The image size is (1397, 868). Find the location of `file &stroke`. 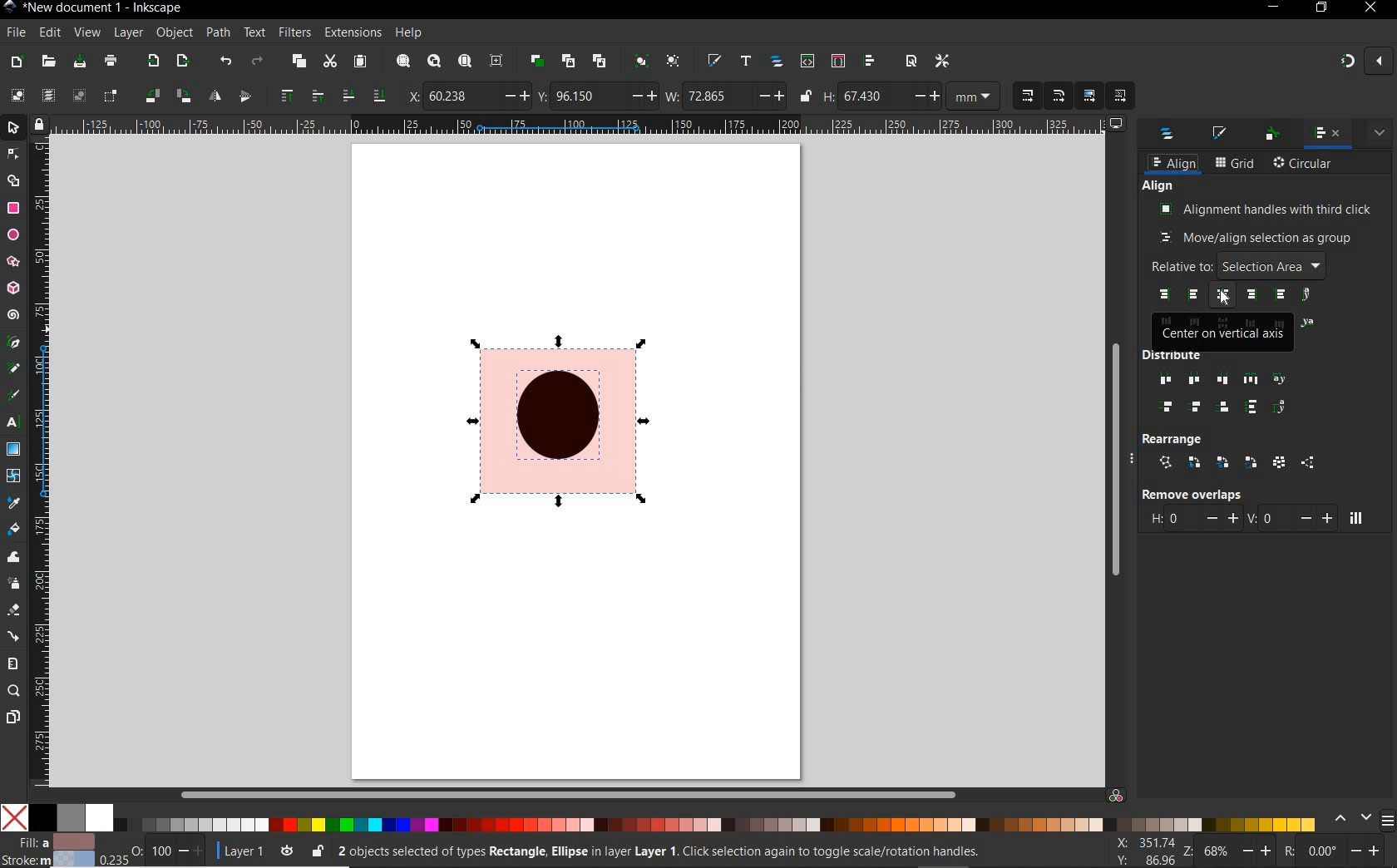

file &stroke is located at coordinates (48, 850).